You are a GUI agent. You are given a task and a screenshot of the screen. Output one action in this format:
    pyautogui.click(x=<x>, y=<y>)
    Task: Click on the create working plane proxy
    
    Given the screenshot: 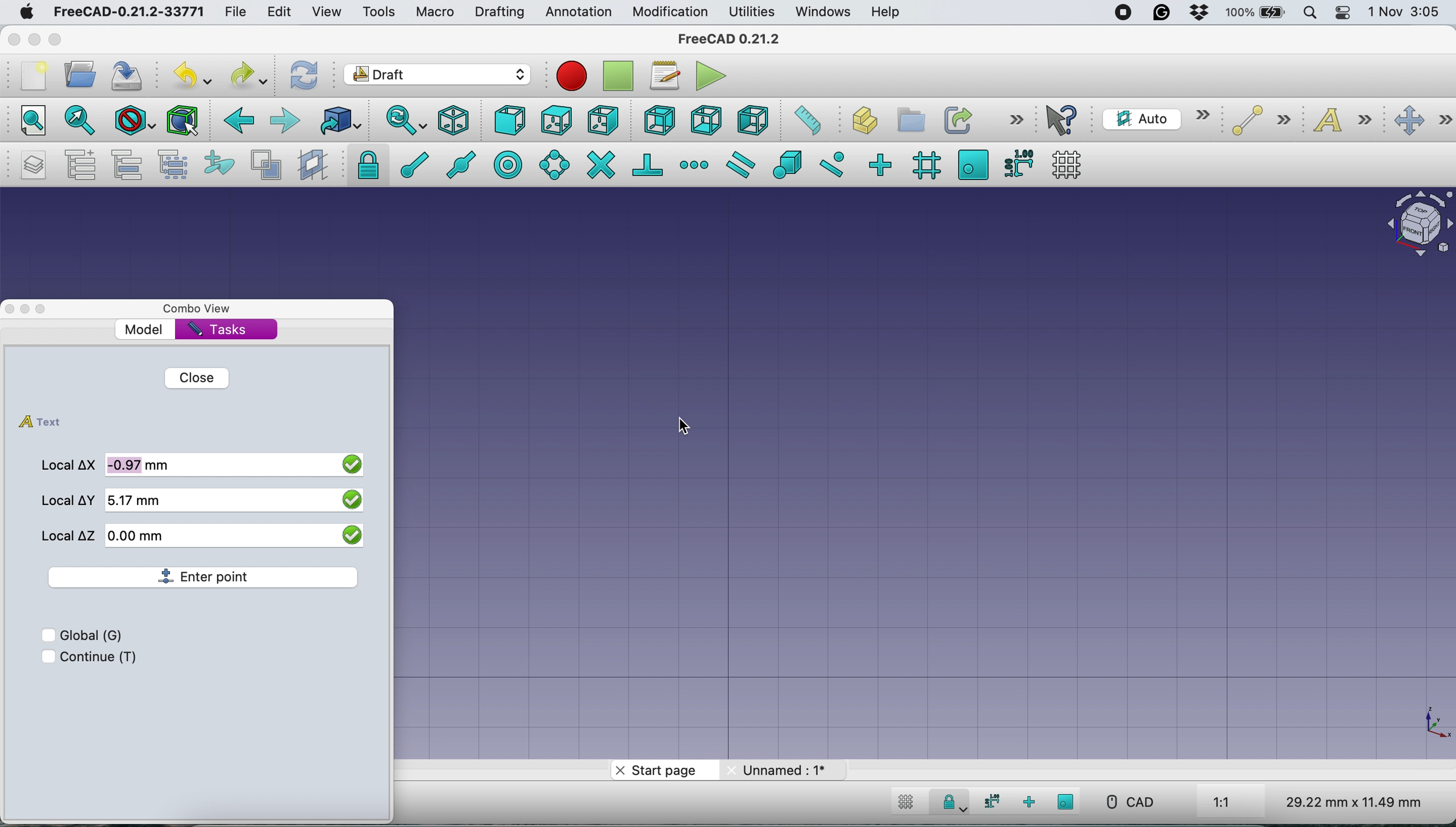 What is the action you would take?
    pyautogui.click(x=313, y=166)
    